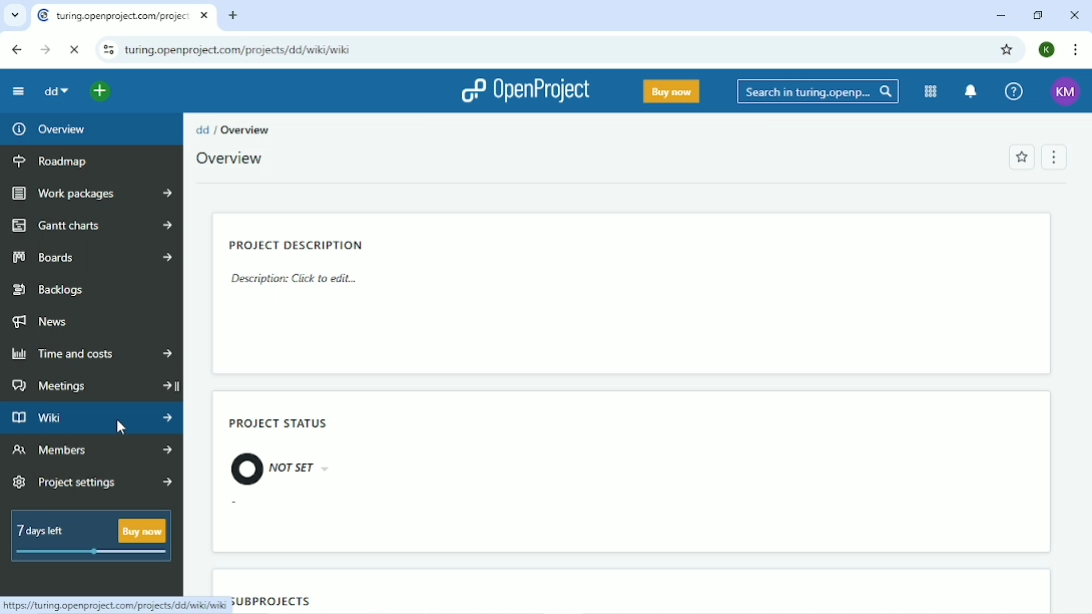 The height and width of the screenshot is (614, 1092). I want to click on Wiki, so click(92, 418).